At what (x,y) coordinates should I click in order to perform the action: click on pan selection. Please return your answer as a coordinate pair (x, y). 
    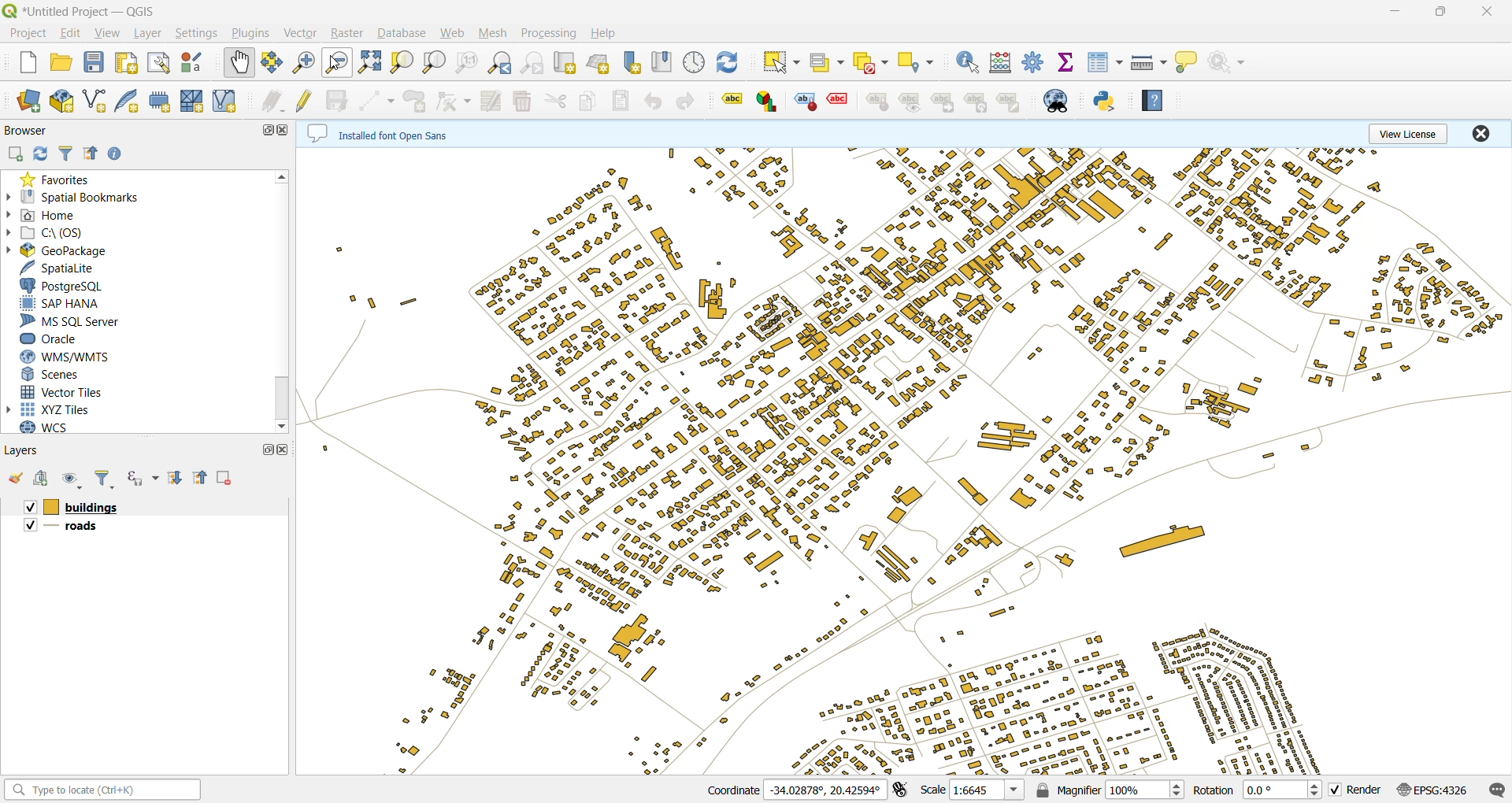
    Looking at the image, I should click on (269, 64).